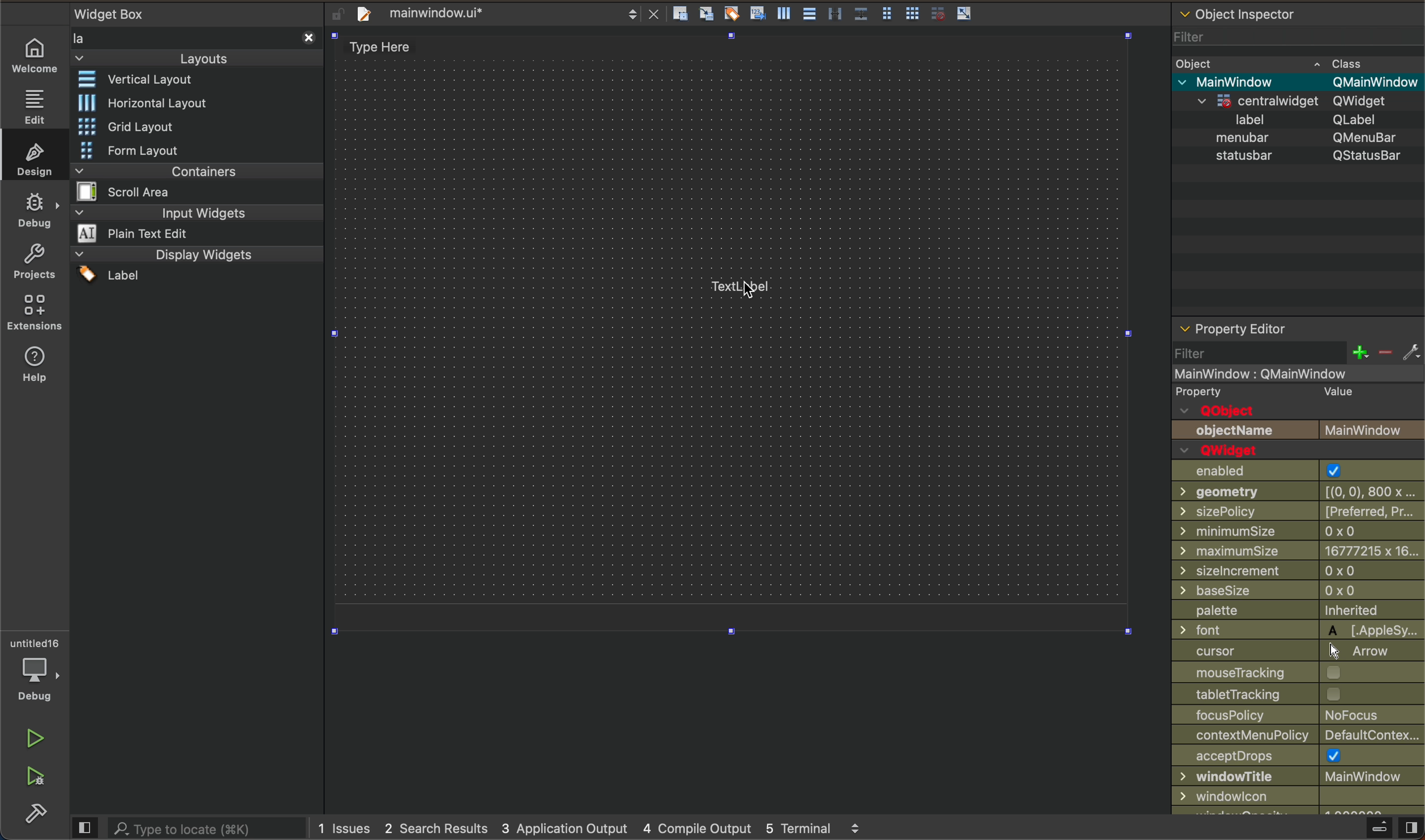 The height and width of the screenshot is (840, 1425). Describe the element at coordinates (1306, 101) in the screenshot. I see `qwidget` at that location.